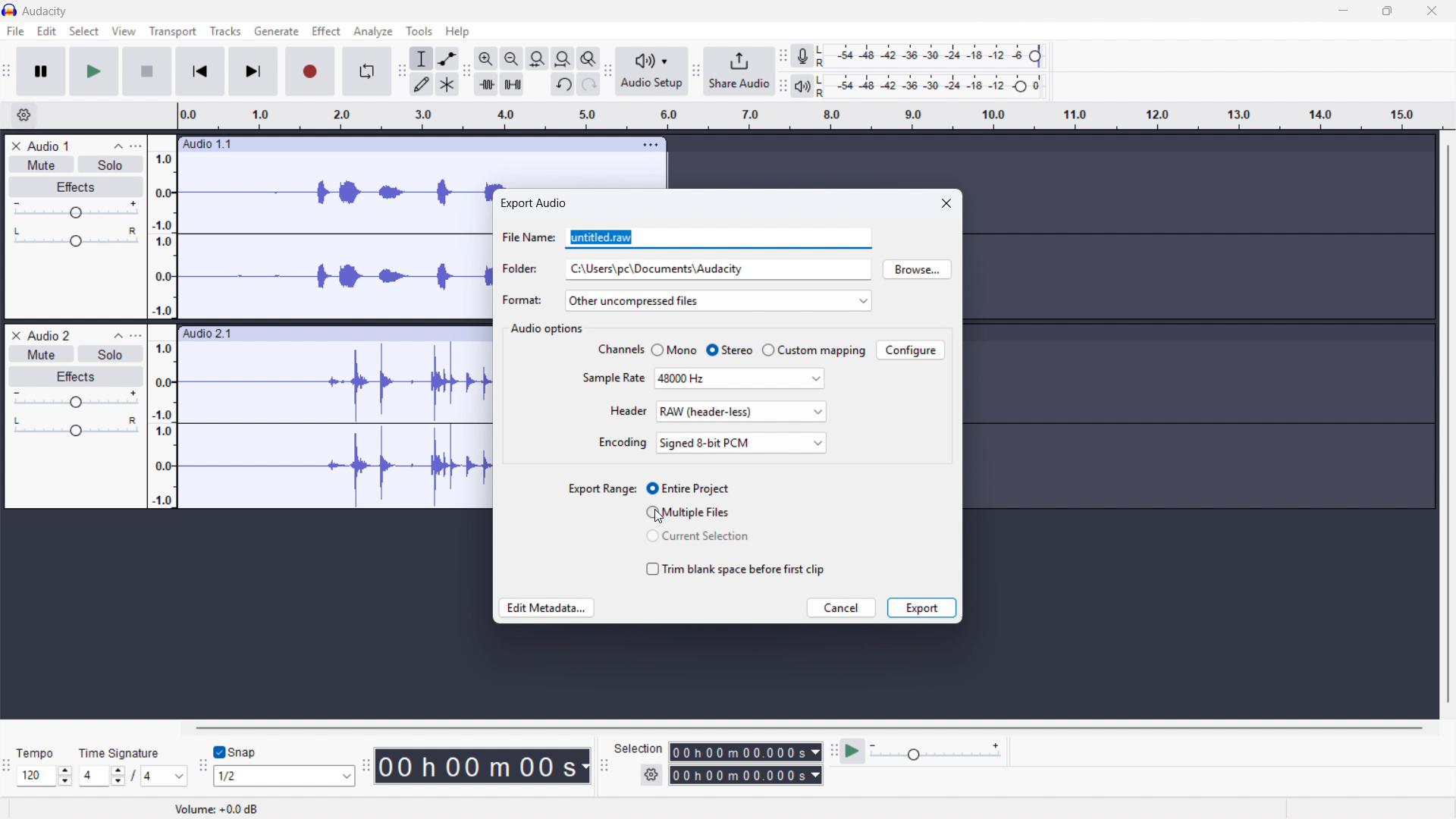 This screenshot has height=819, width=1456. What do you see at coordinates (687, 488) in the screenshot?
I see `Export range entire project` at bounding box center [687, 488].